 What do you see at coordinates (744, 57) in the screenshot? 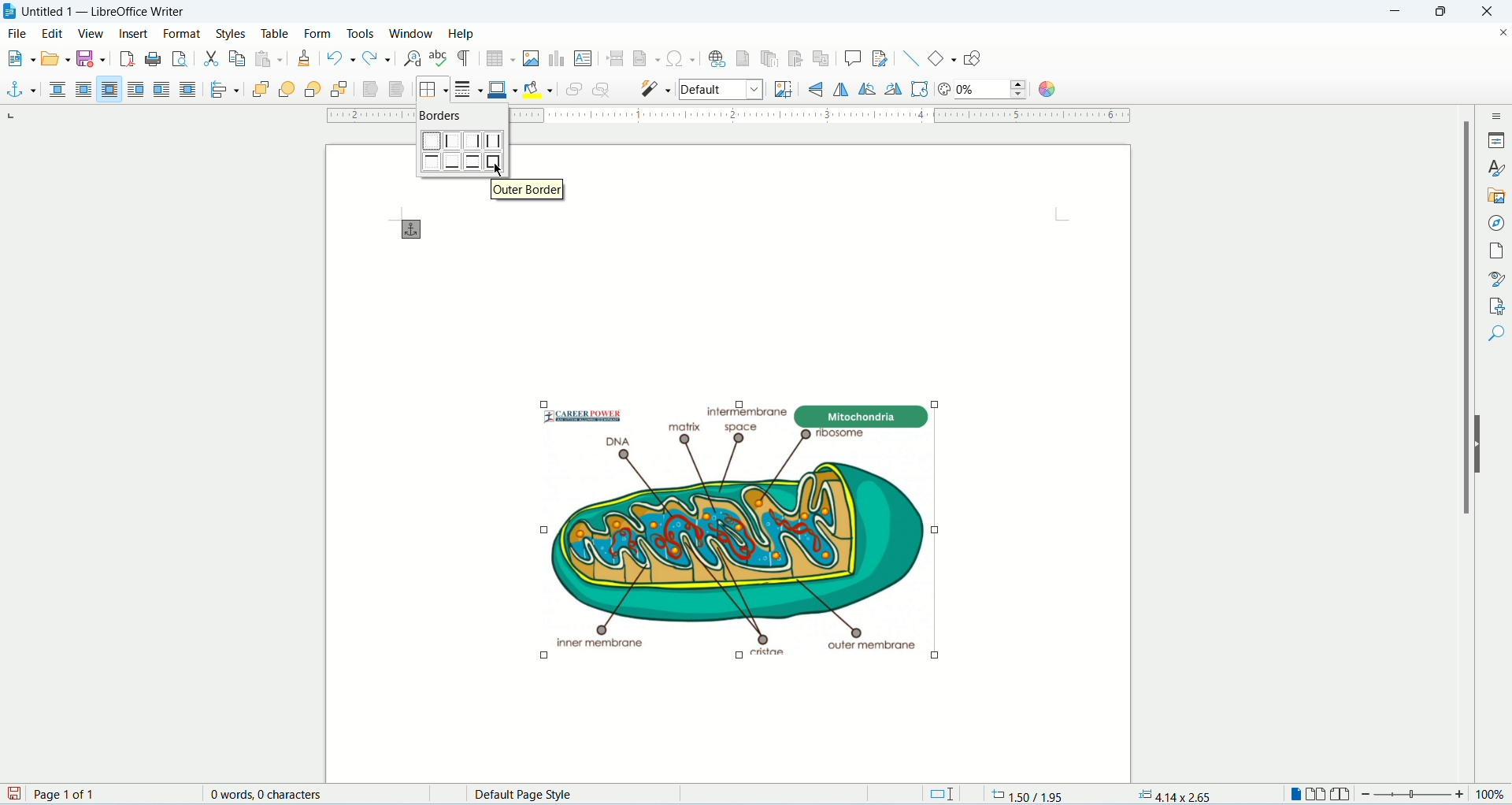
I see `insert footnote` at bounding box center [744, 57].